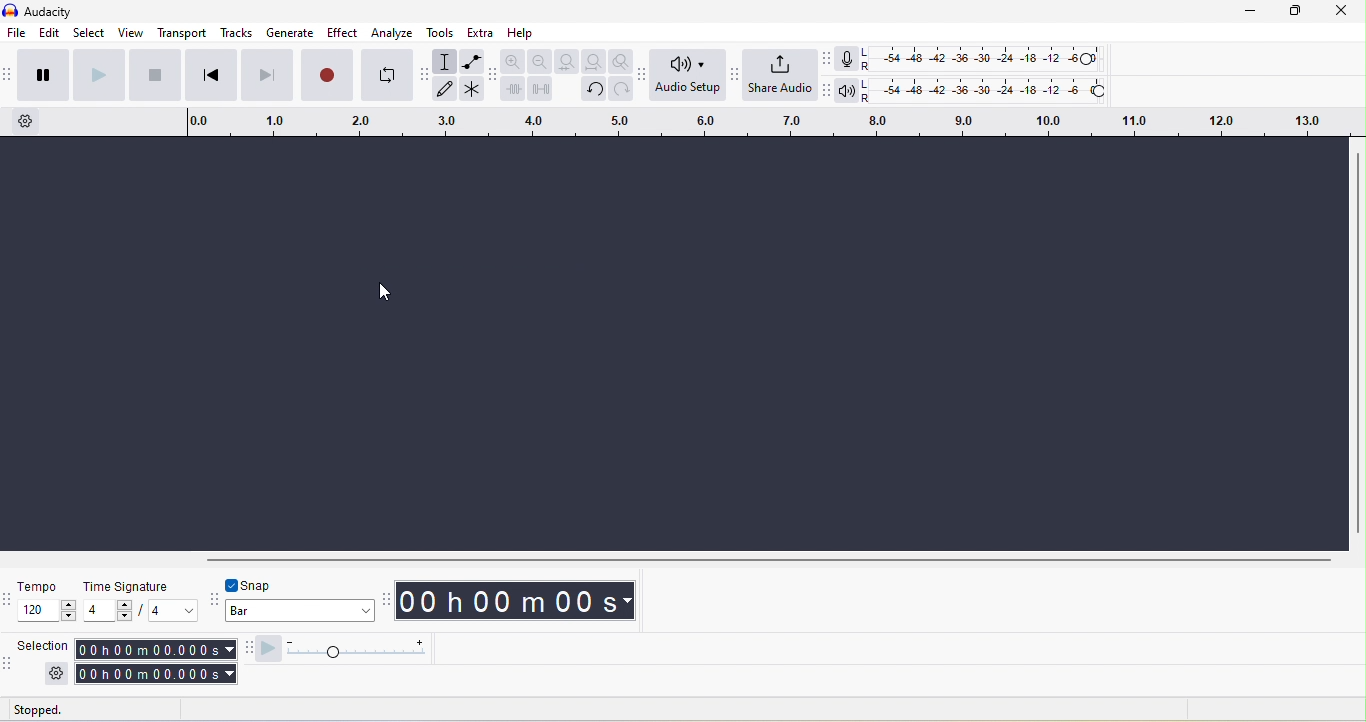  What do you see at coordinates (100, 76) in the screenshot?
I see `play` at bounding box center [100, 76].